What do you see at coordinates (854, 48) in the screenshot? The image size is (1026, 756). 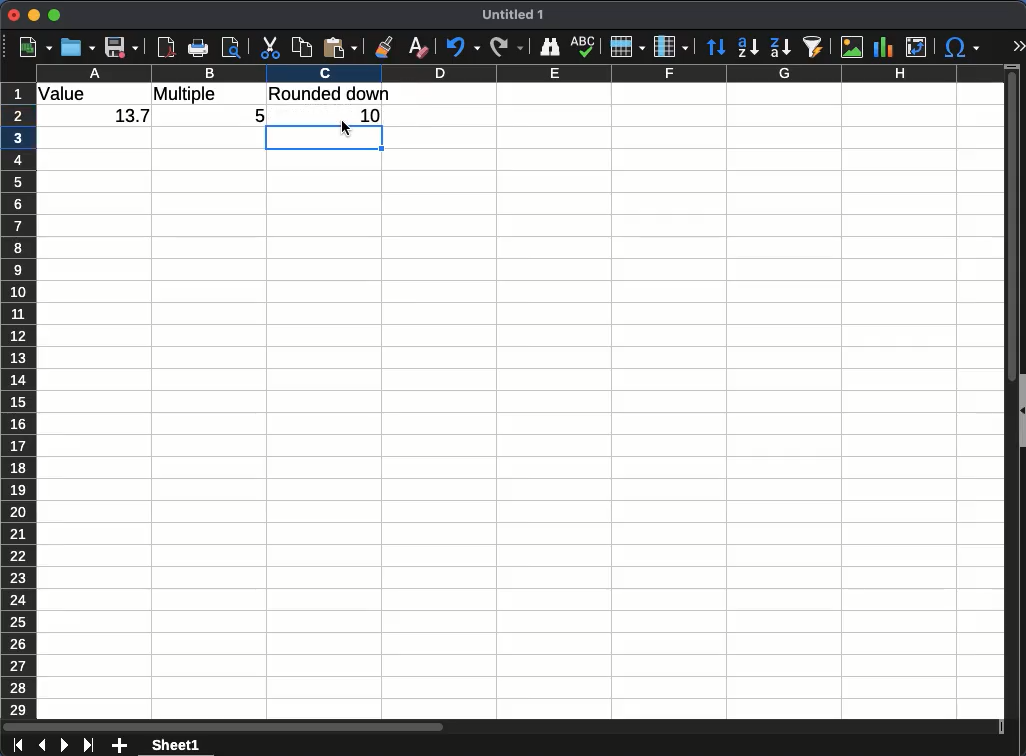 I see `image` at bounding box center [854, 48].